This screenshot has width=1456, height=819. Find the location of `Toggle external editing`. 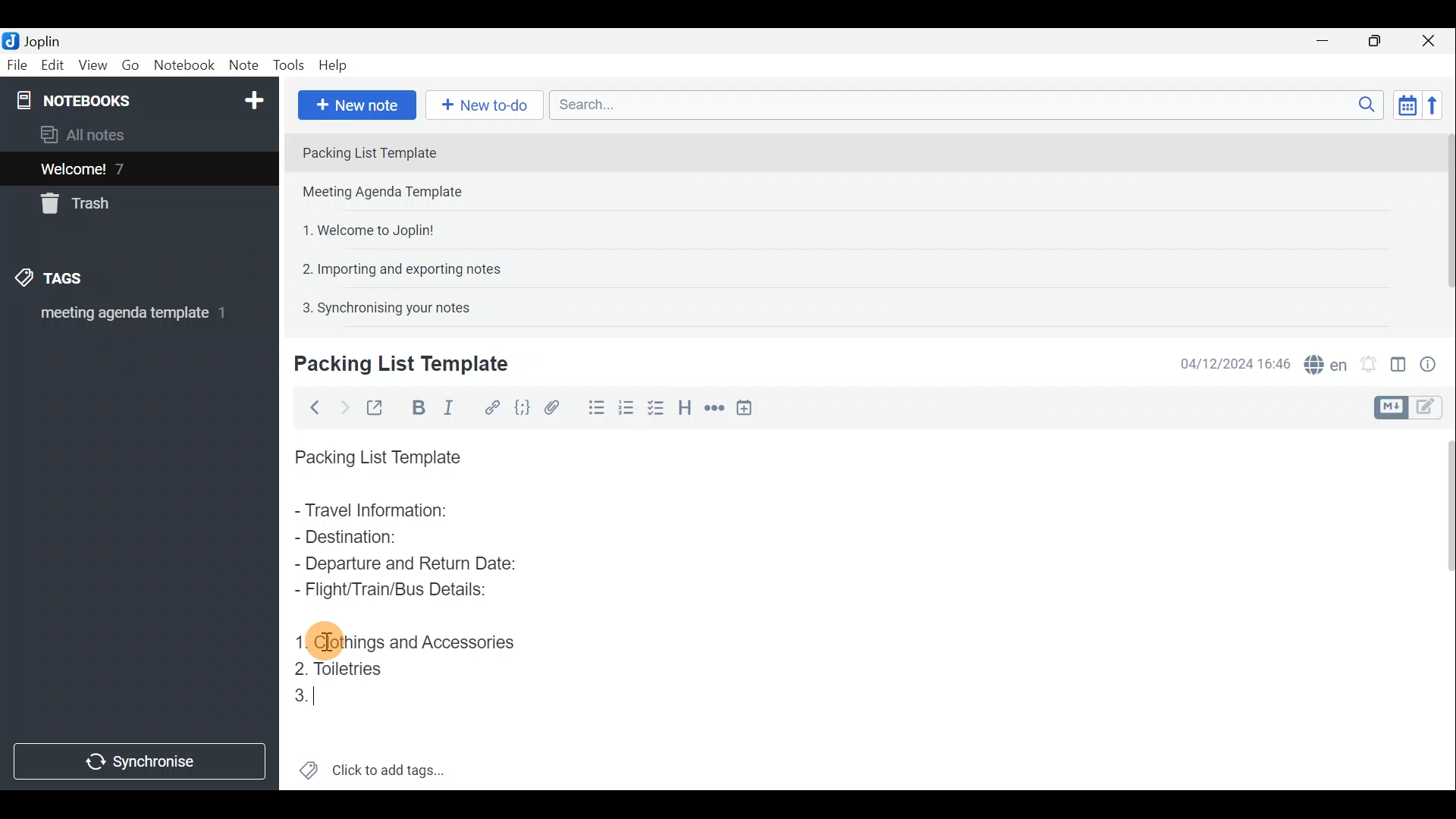

Toggle external editing is located at coordinates (376, 406).